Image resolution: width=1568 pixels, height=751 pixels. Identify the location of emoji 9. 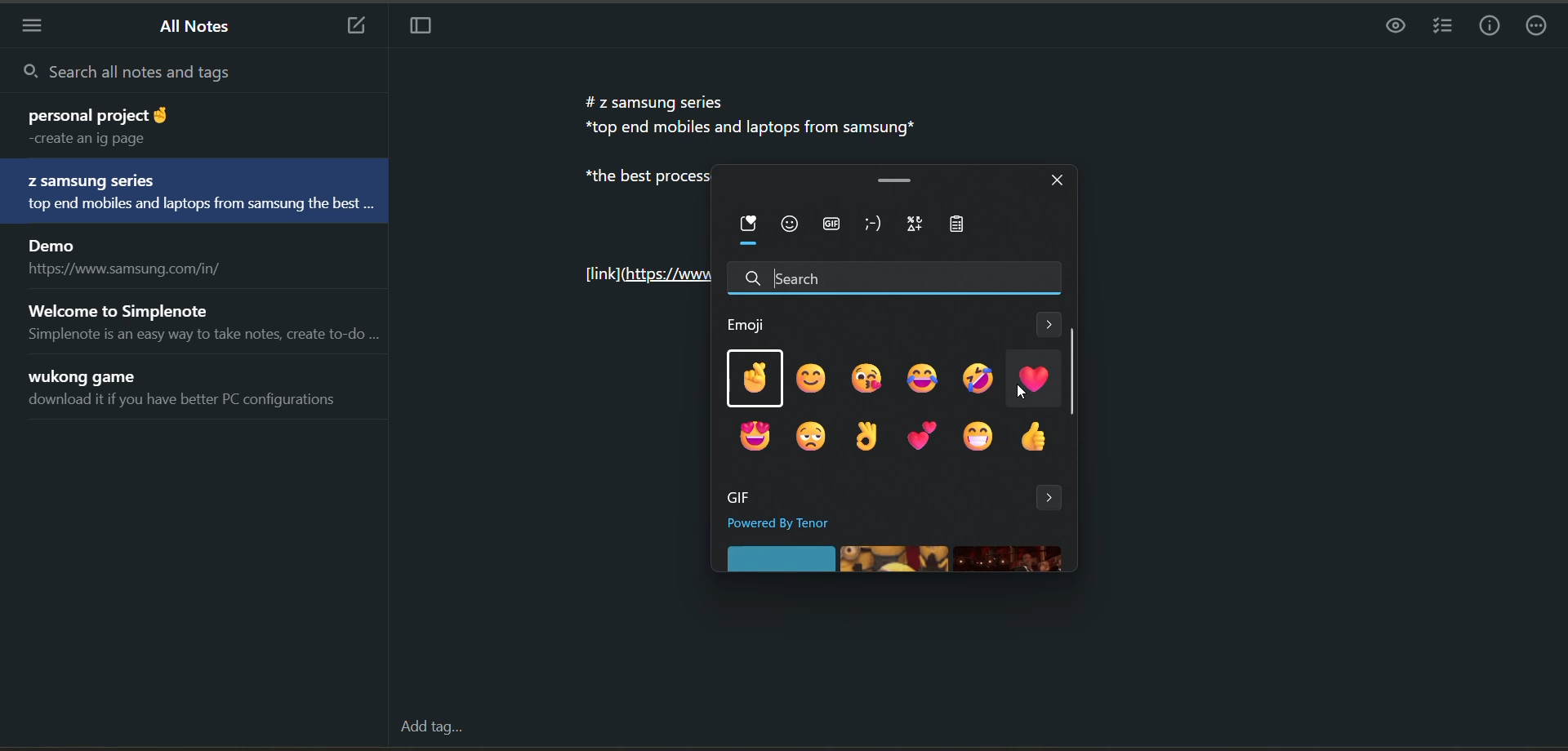
(868, 438).